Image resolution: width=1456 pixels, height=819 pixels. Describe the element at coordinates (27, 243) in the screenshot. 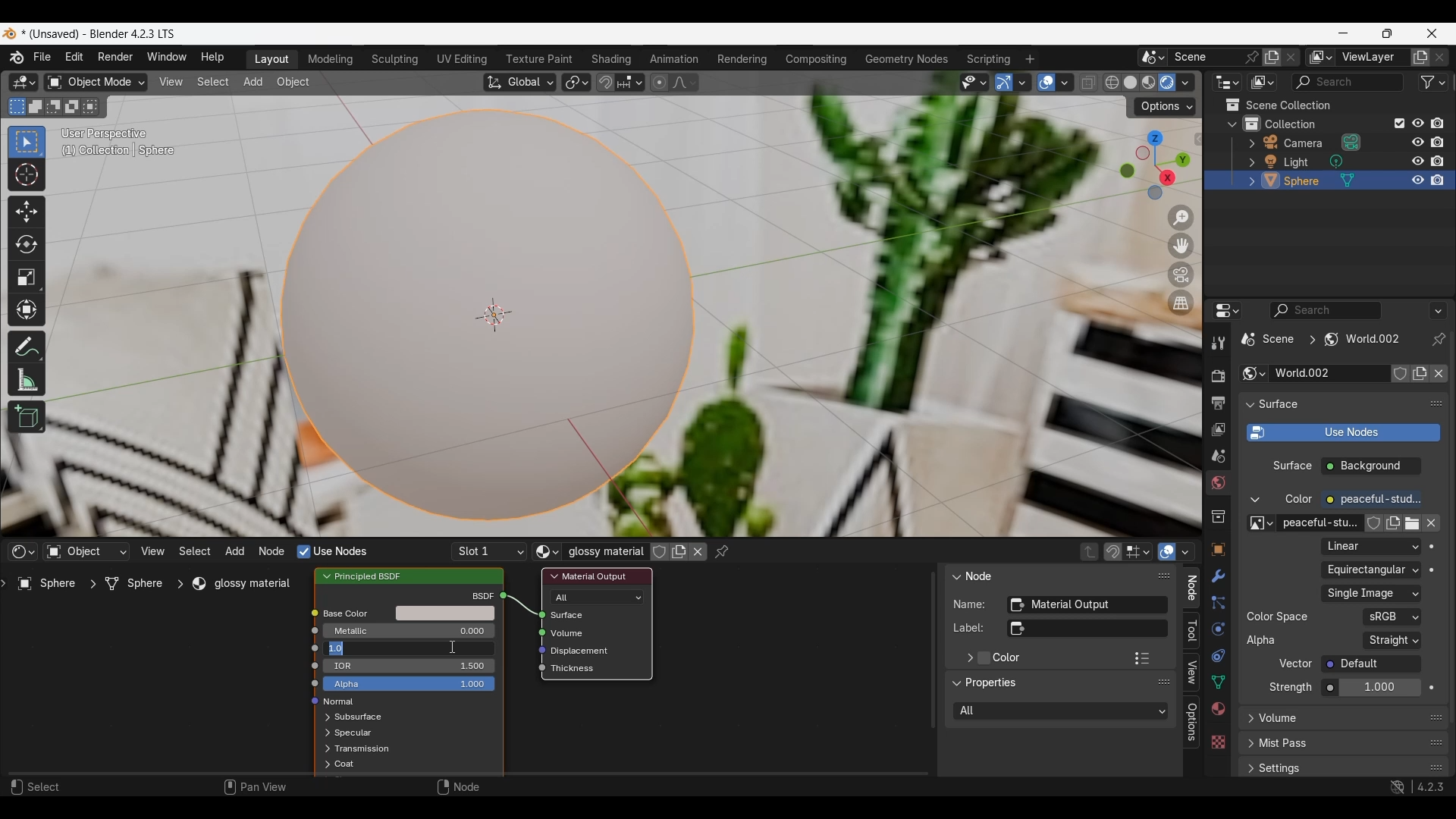

I see `Rotate` at that location.